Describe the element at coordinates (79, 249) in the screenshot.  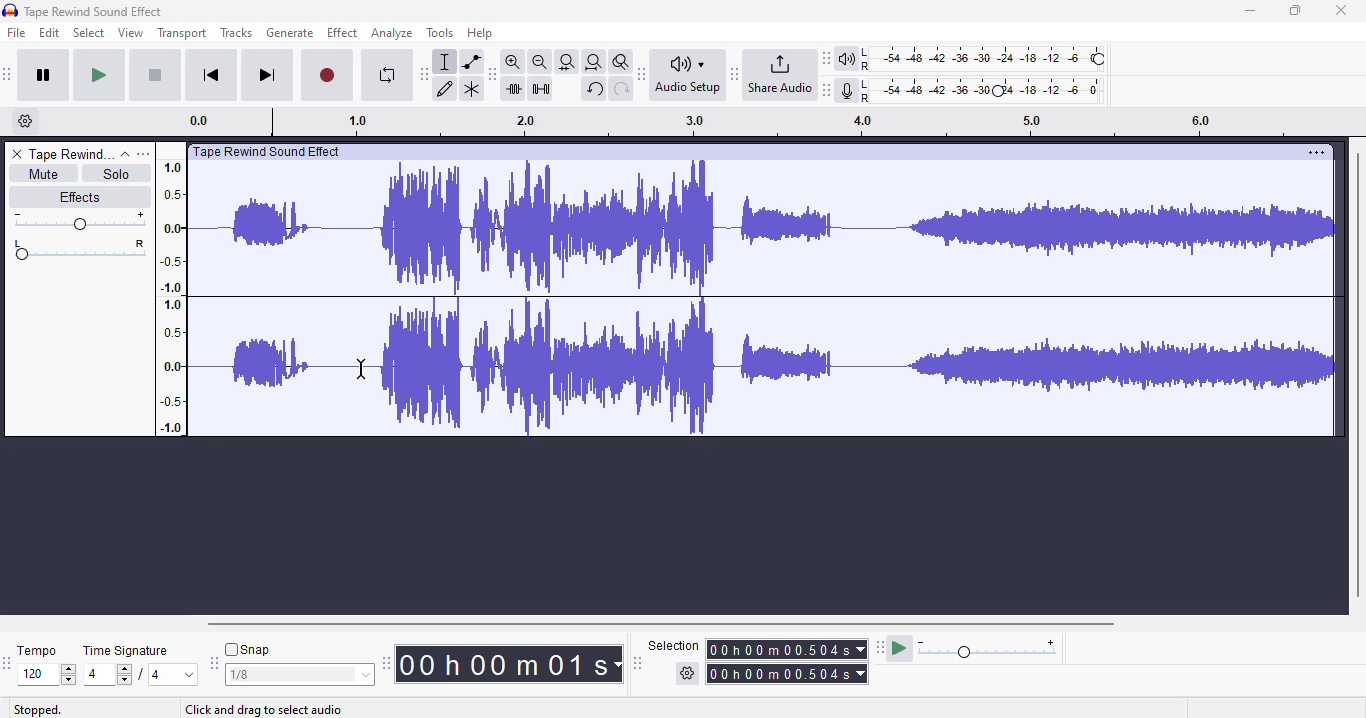
I see `pan` at that location.